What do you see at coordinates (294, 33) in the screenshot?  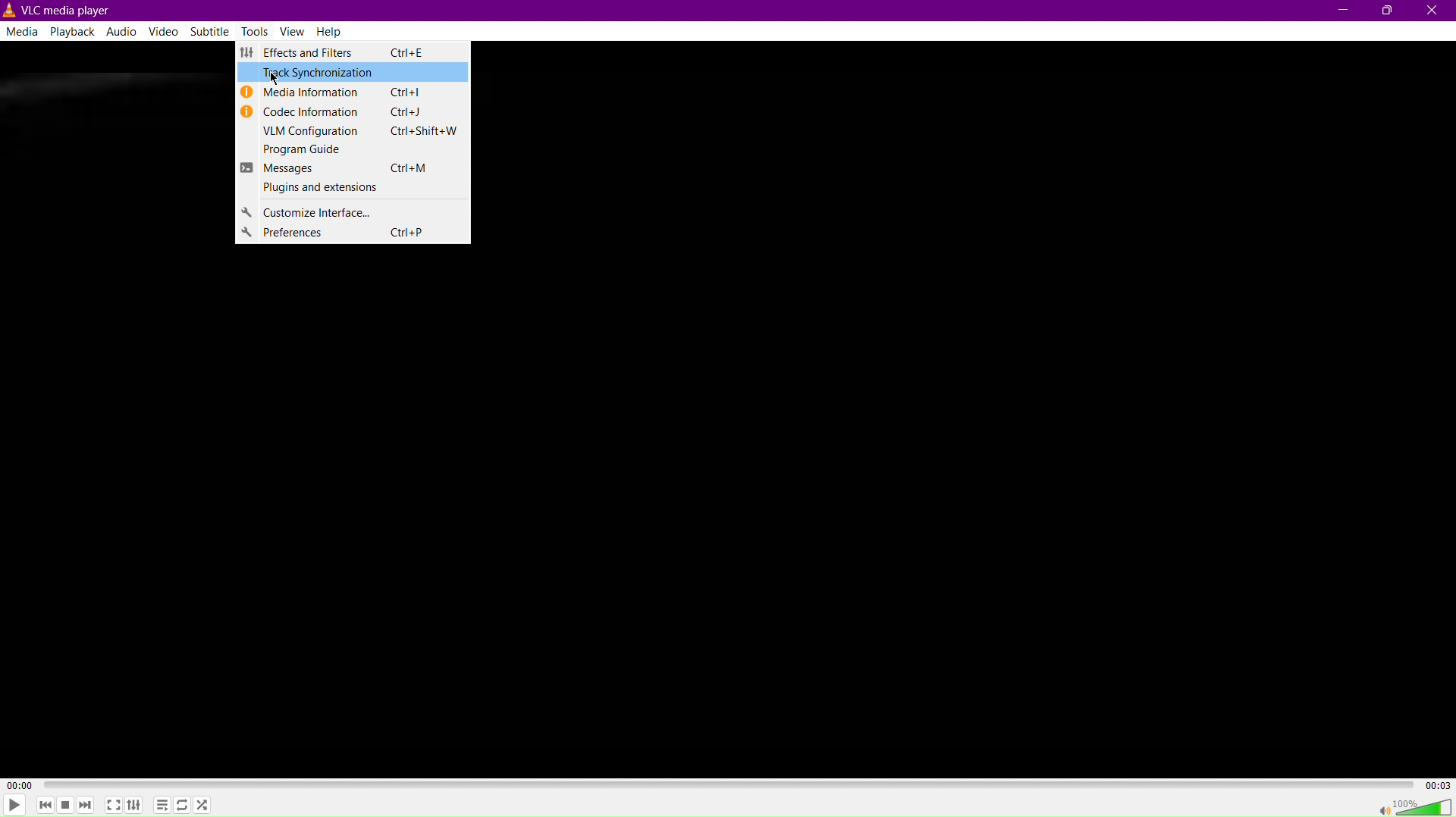 I see `View` at bounding box center [294, 33].